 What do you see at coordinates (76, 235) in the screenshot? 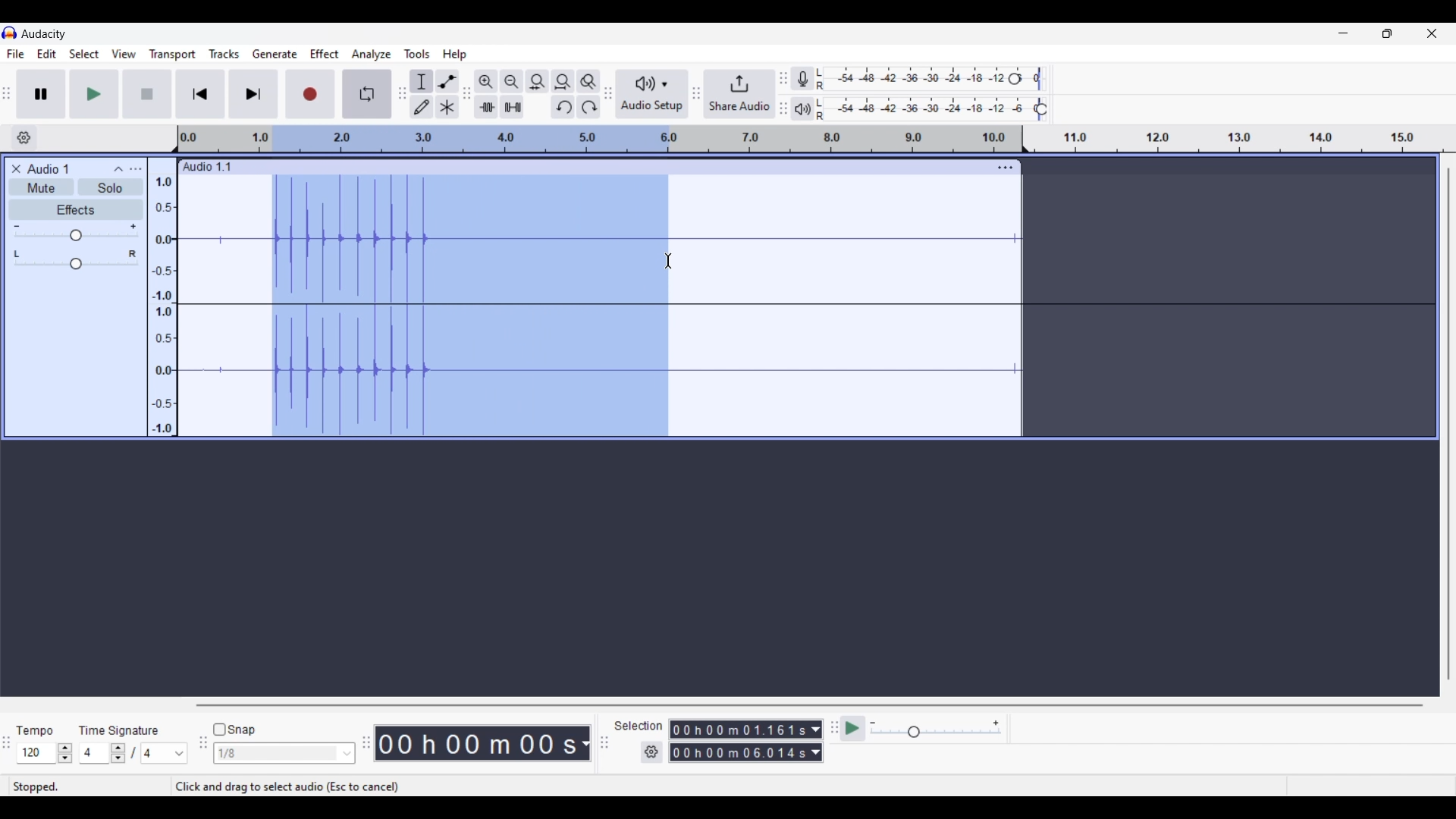
I see `Gain` at bounding box center [76, 235].